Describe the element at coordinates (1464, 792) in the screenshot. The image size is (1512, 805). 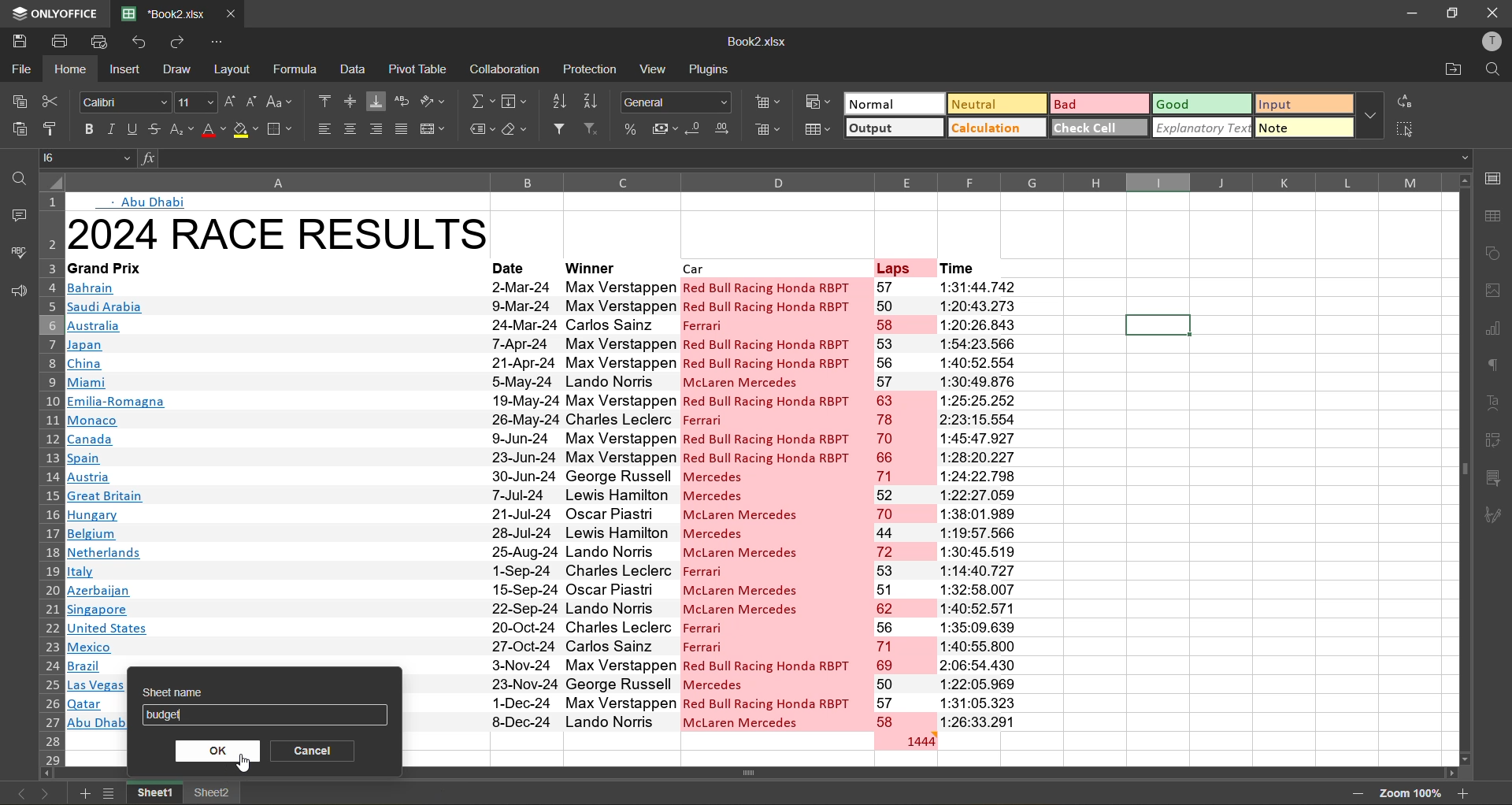
I see `zoom in ` at that location.